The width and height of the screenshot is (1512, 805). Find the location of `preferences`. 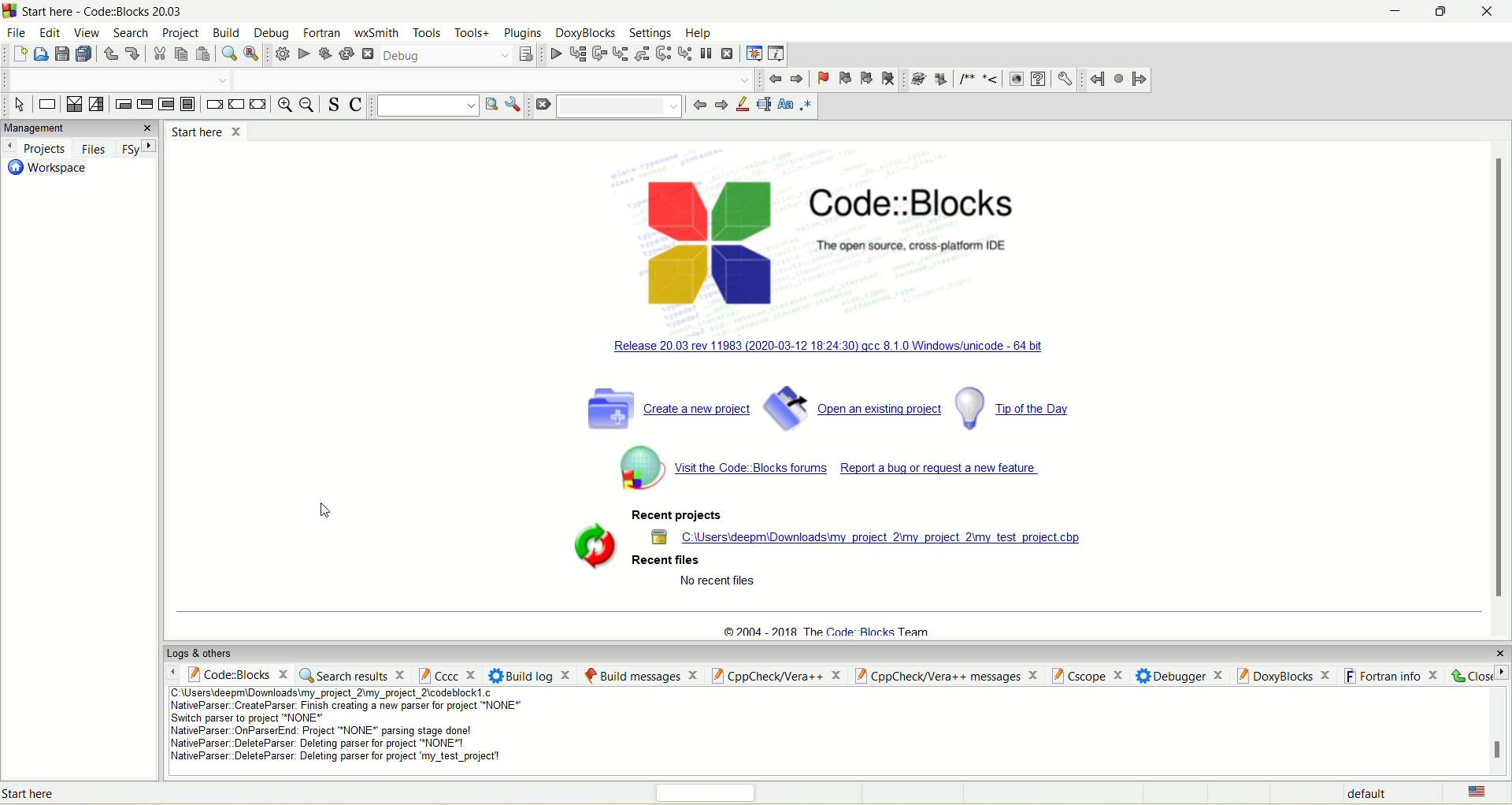

preferences is located at coordinates (1065, 80).